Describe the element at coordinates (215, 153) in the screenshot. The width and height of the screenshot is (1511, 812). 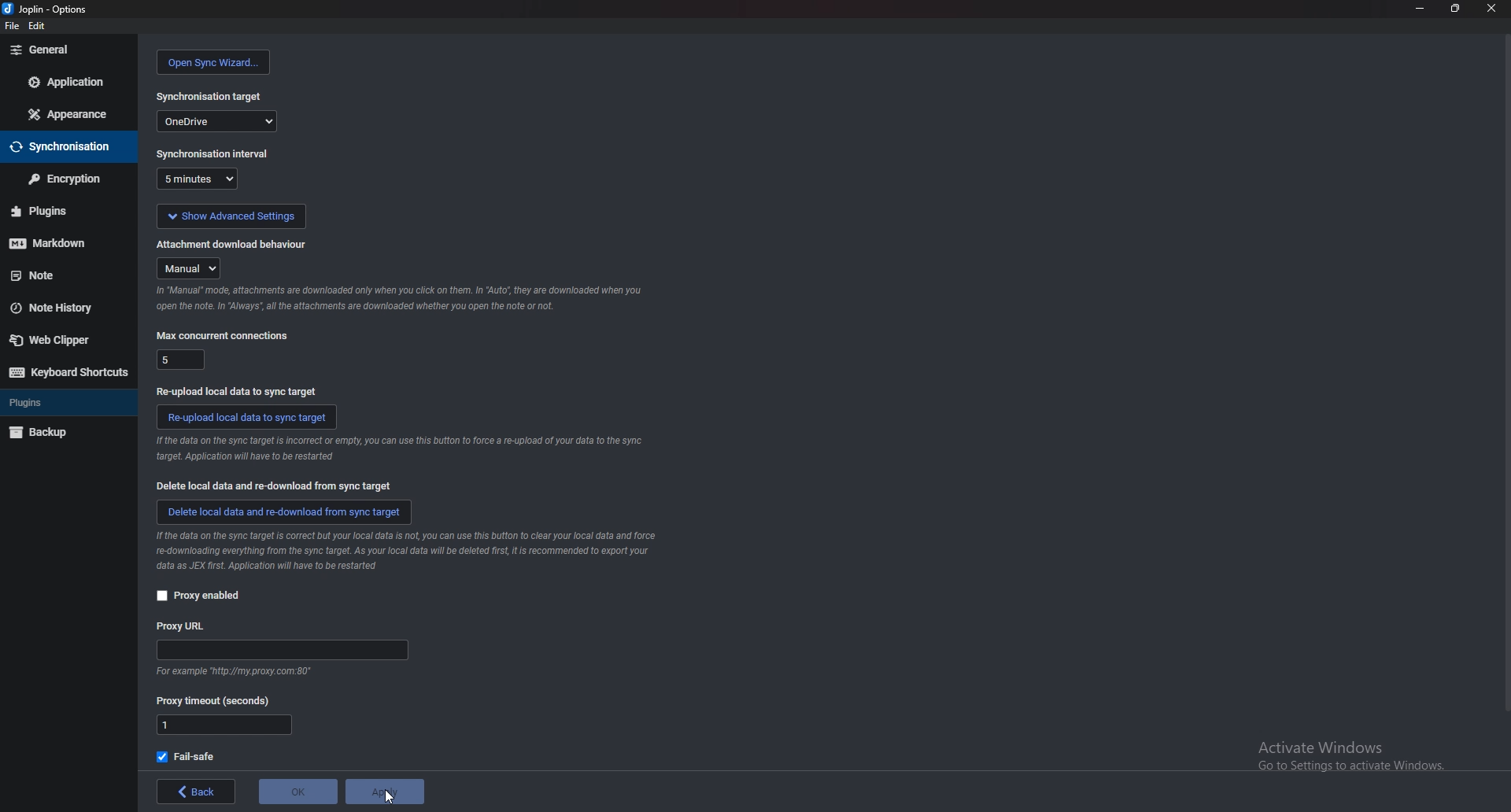
I see `sync interval` at that location.